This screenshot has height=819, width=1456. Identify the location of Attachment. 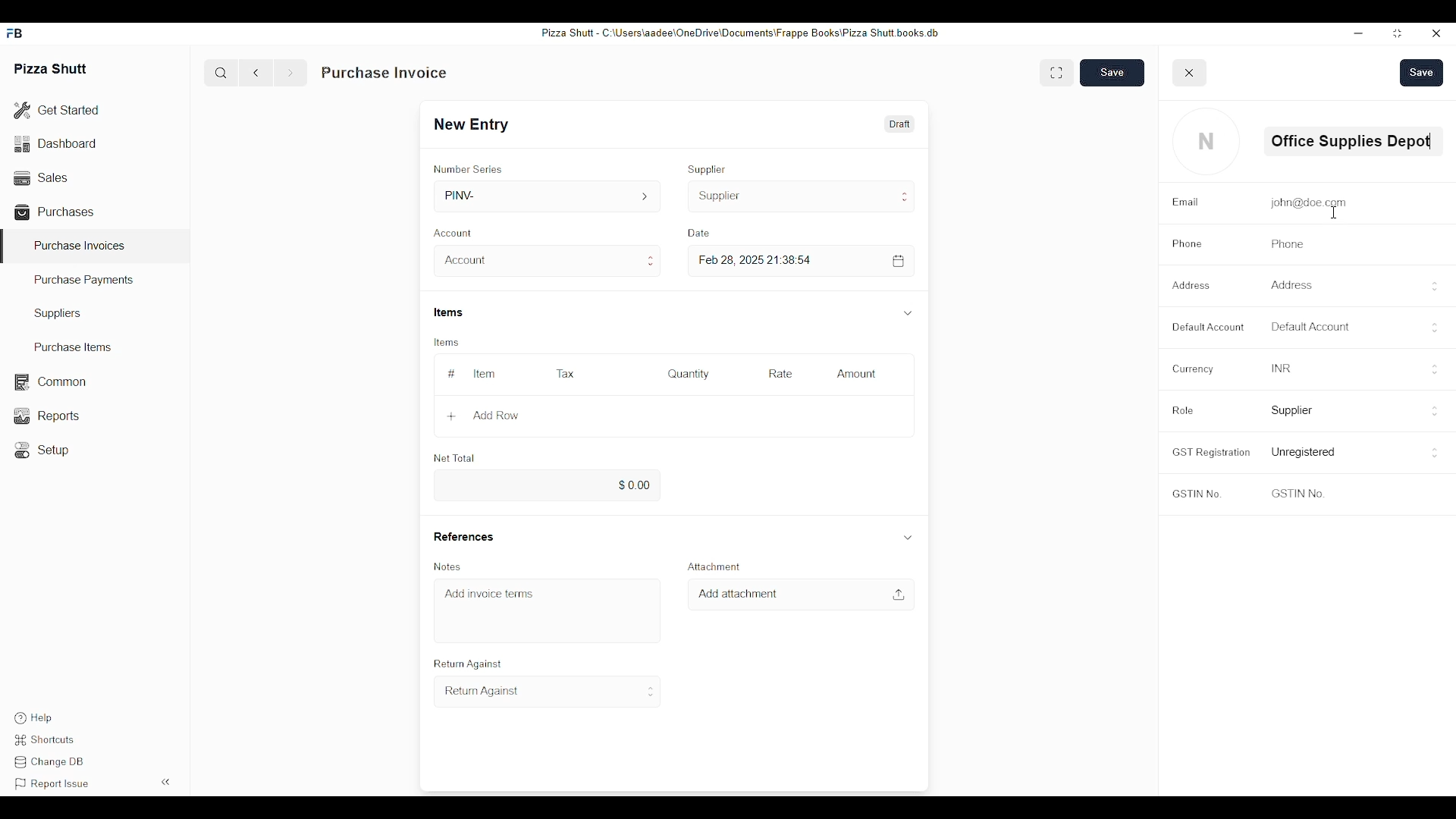
(711, 566).